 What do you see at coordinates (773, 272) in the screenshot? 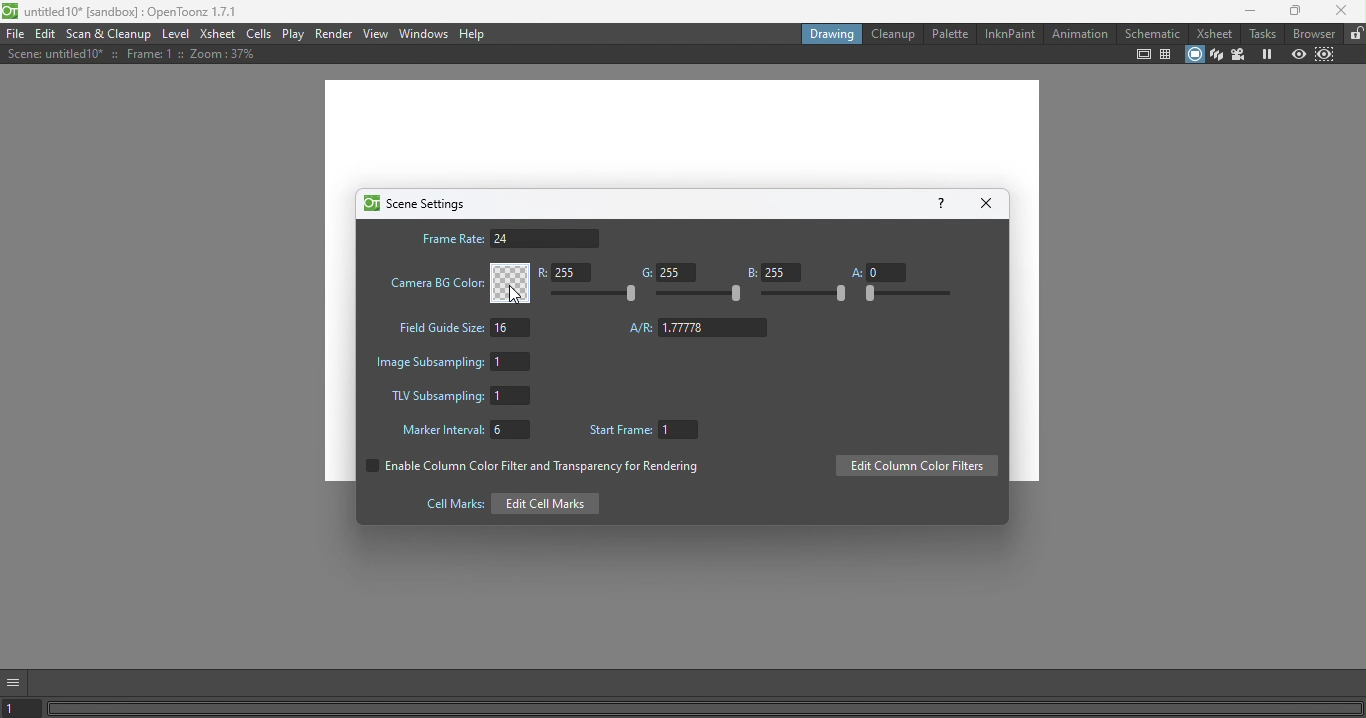
I see `B` at bounding box center [773, 272].